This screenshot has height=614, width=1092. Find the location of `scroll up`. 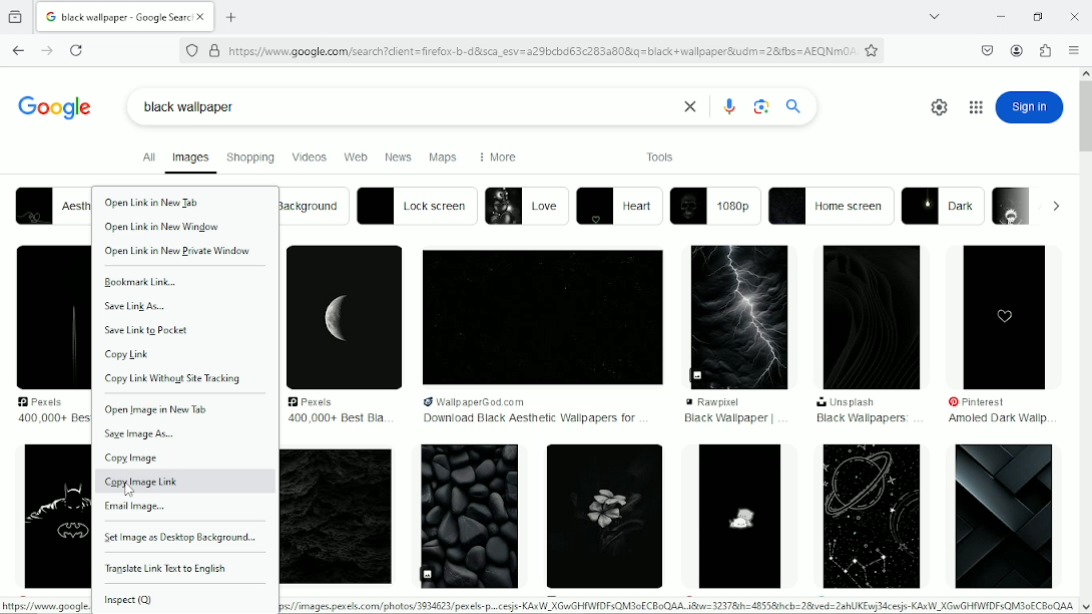

scroll up is located at coordinates (1085, 71).